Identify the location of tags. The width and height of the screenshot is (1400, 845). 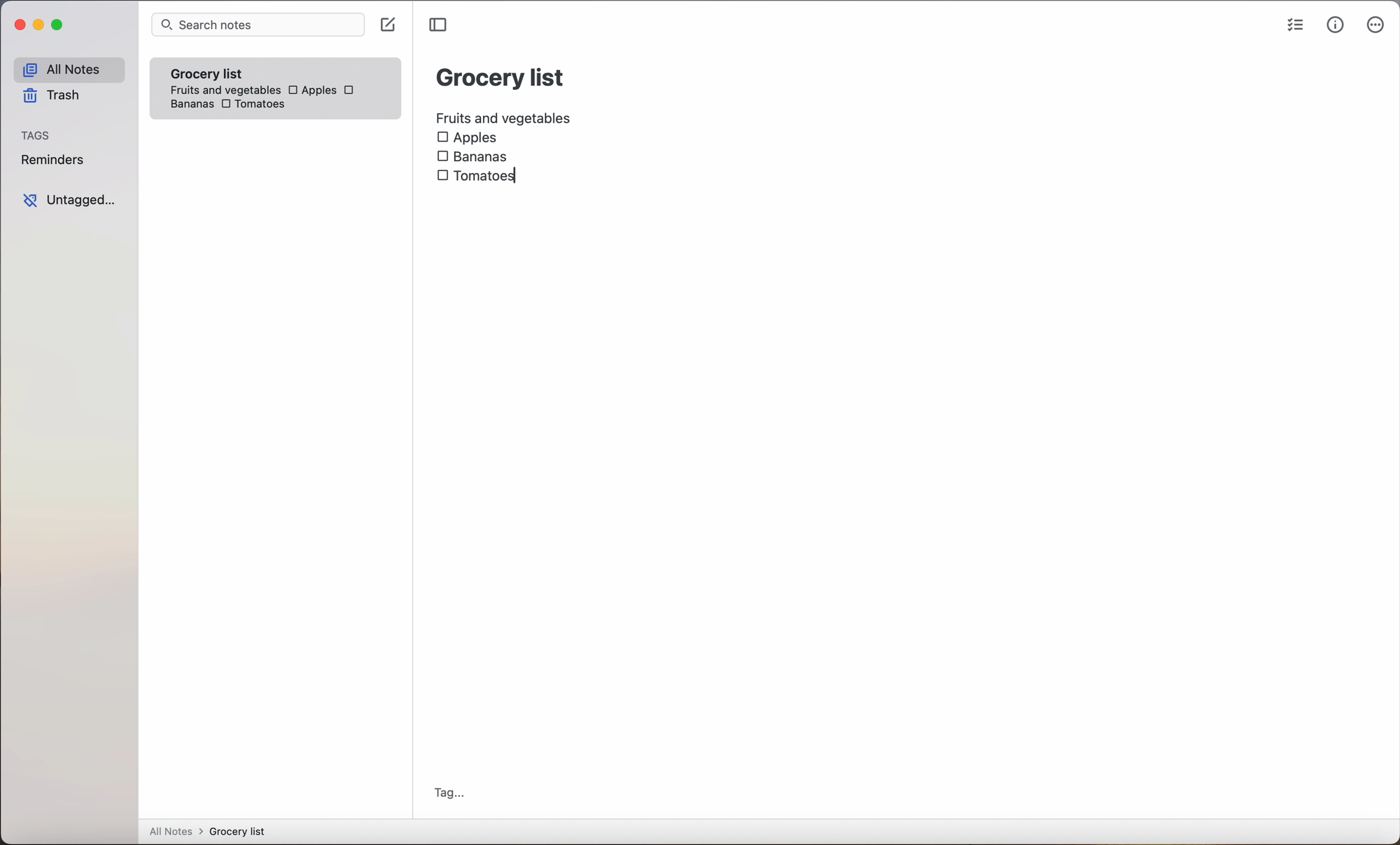
(37, 136).